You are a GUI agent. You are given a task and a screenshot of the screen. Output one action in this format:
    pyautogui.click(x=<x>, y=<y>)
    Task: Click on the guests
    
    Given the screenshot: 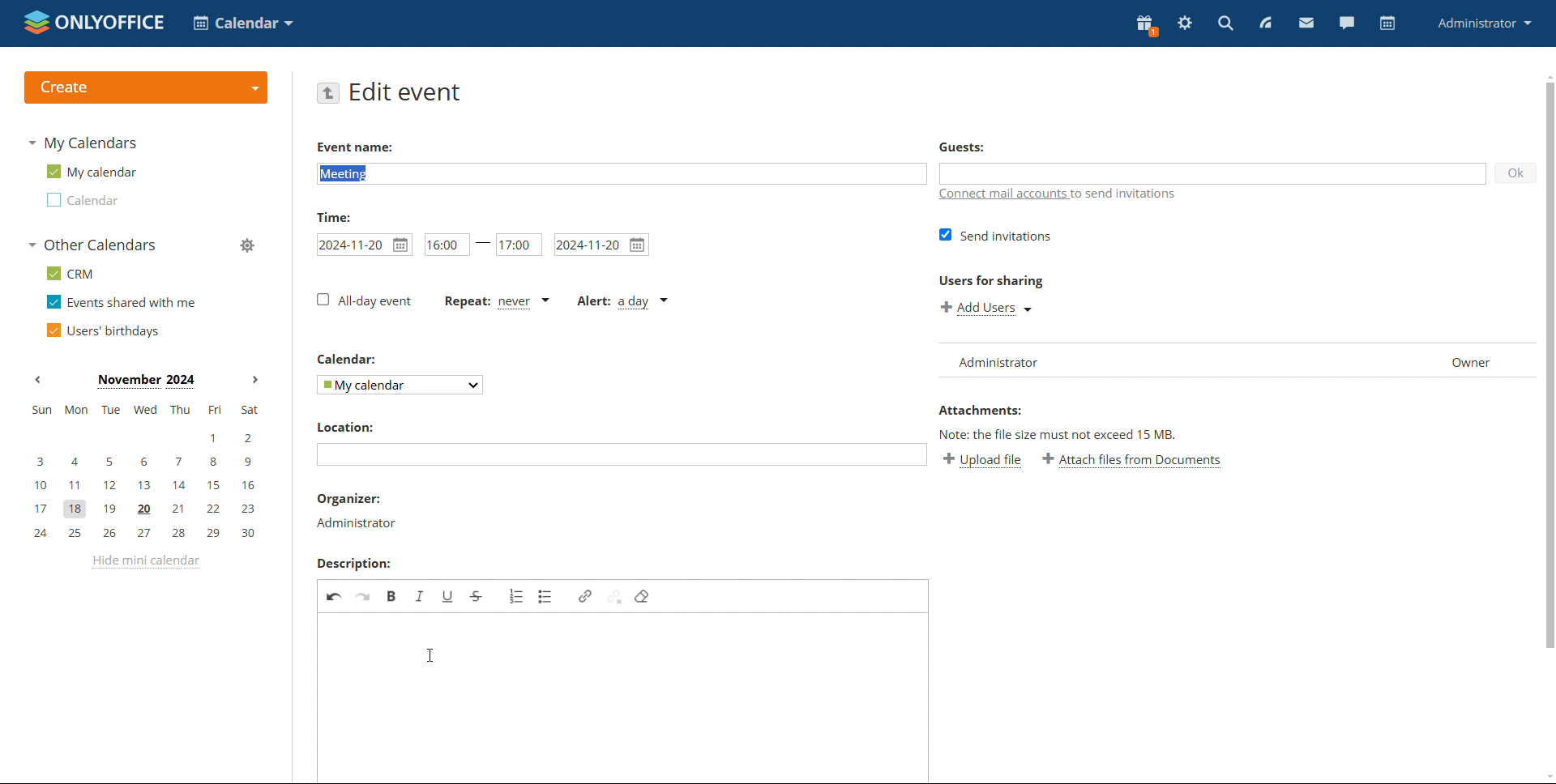 What is the action you would take?
    pyautogui.click(x=961, y=147)
    